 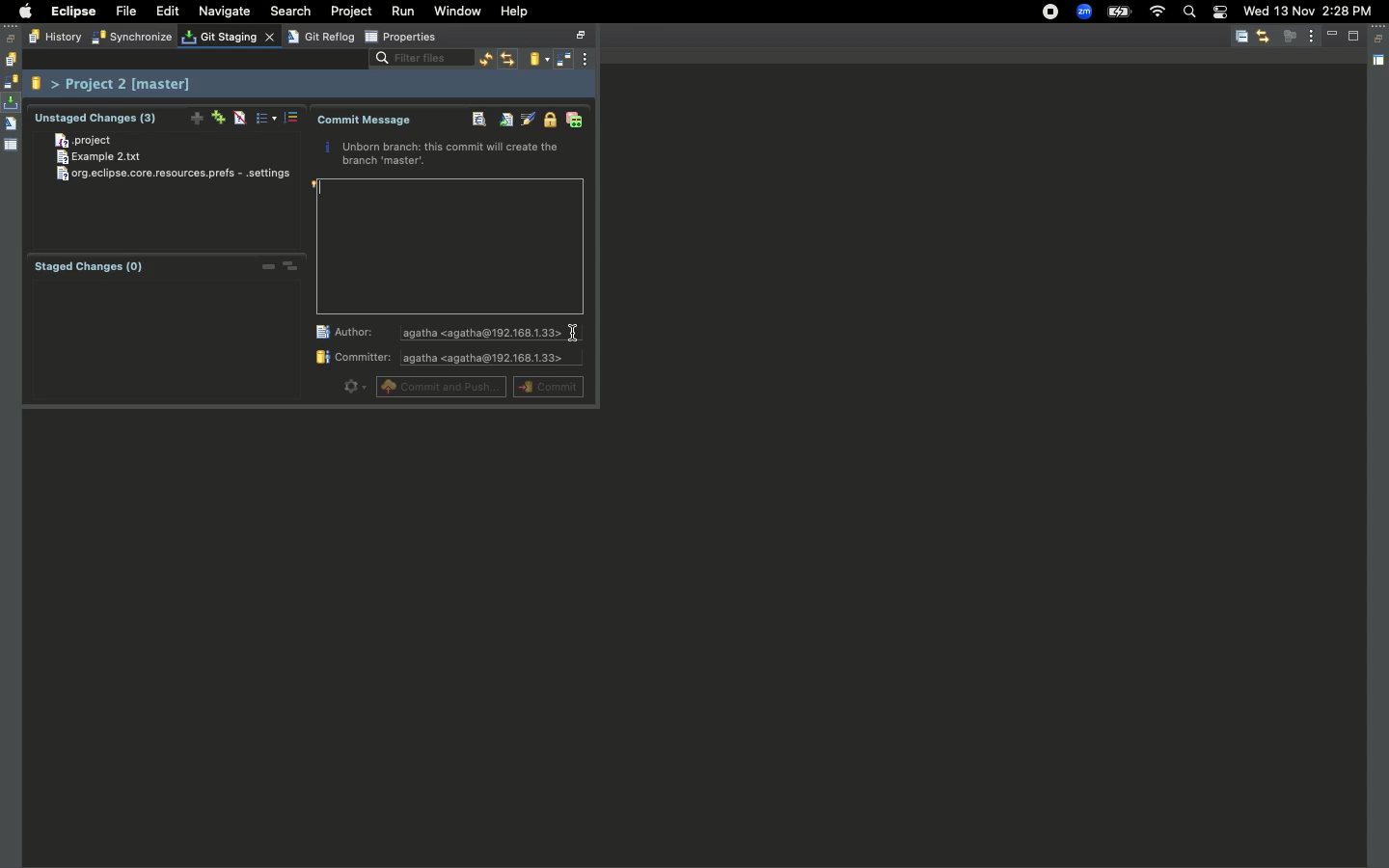 What do you see at coordinates (1157, 13) in the screenshot?
I see `Internet` at bounding box center [1157, 13].